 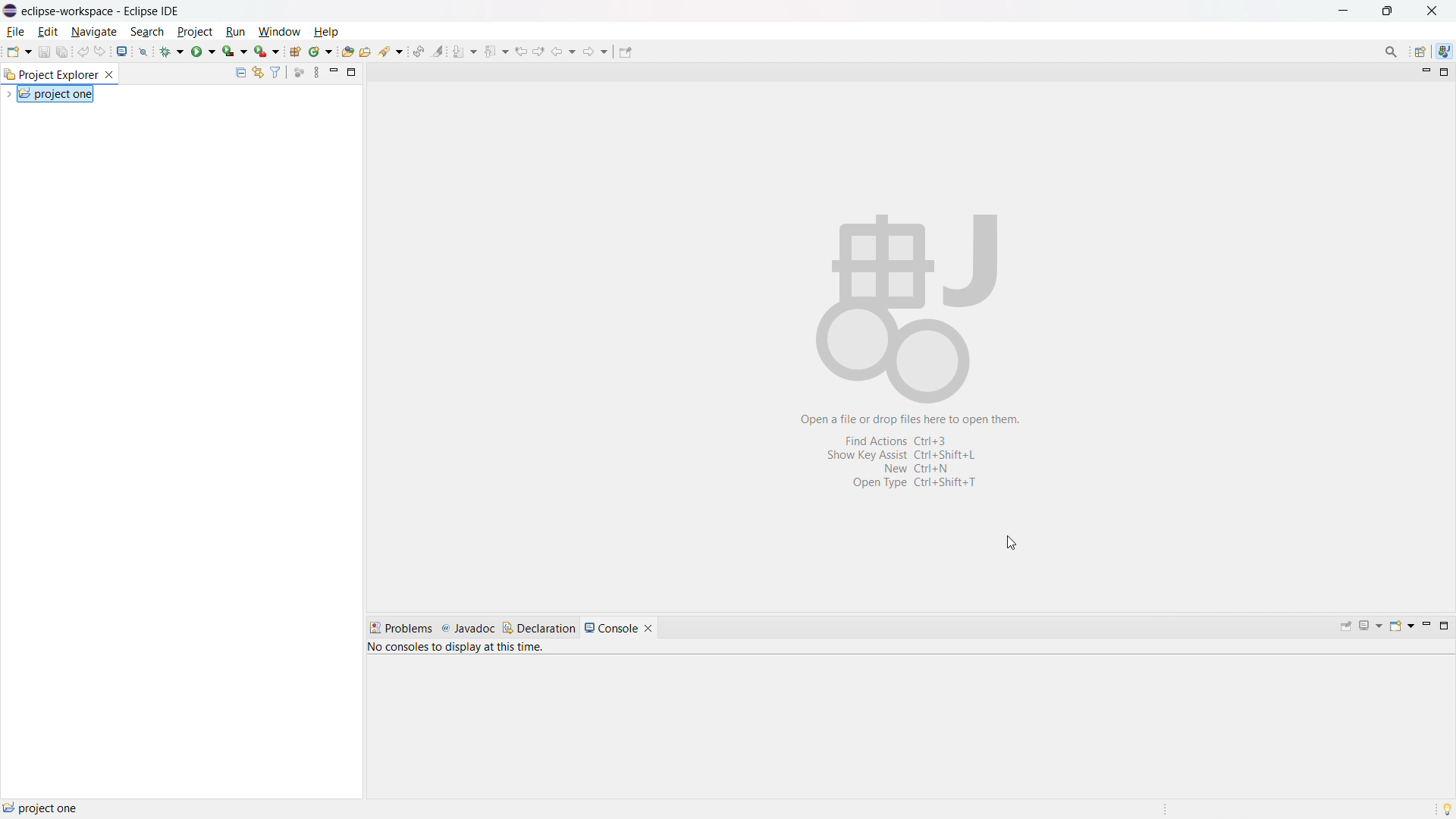 I want to click on navigate, so click(x=93, y=31).